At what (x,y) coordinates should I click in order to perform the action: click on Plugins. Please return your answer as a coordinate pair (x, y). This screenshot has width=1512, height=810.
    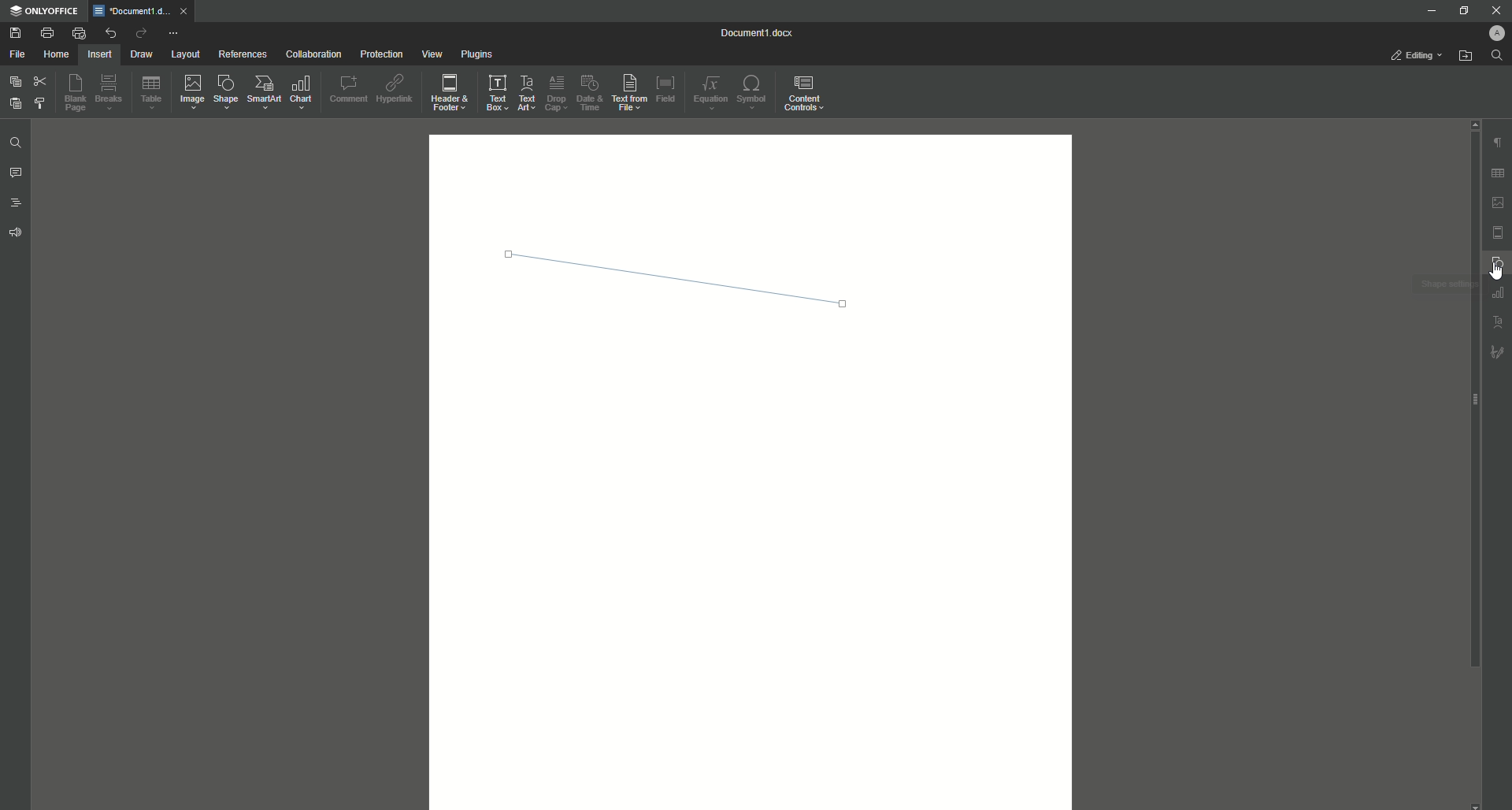
    Looking at the image, I should click on (478, 55).